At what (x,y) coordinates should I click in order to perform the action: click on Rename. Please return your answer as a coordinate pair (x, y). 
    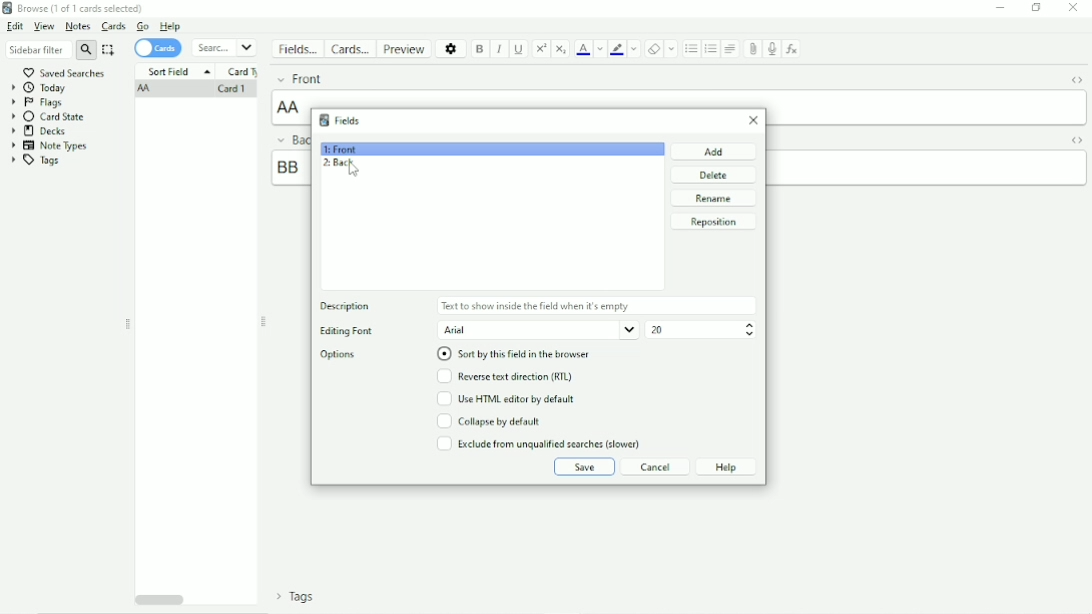
    Looking at the image, I should click on (714, 198).